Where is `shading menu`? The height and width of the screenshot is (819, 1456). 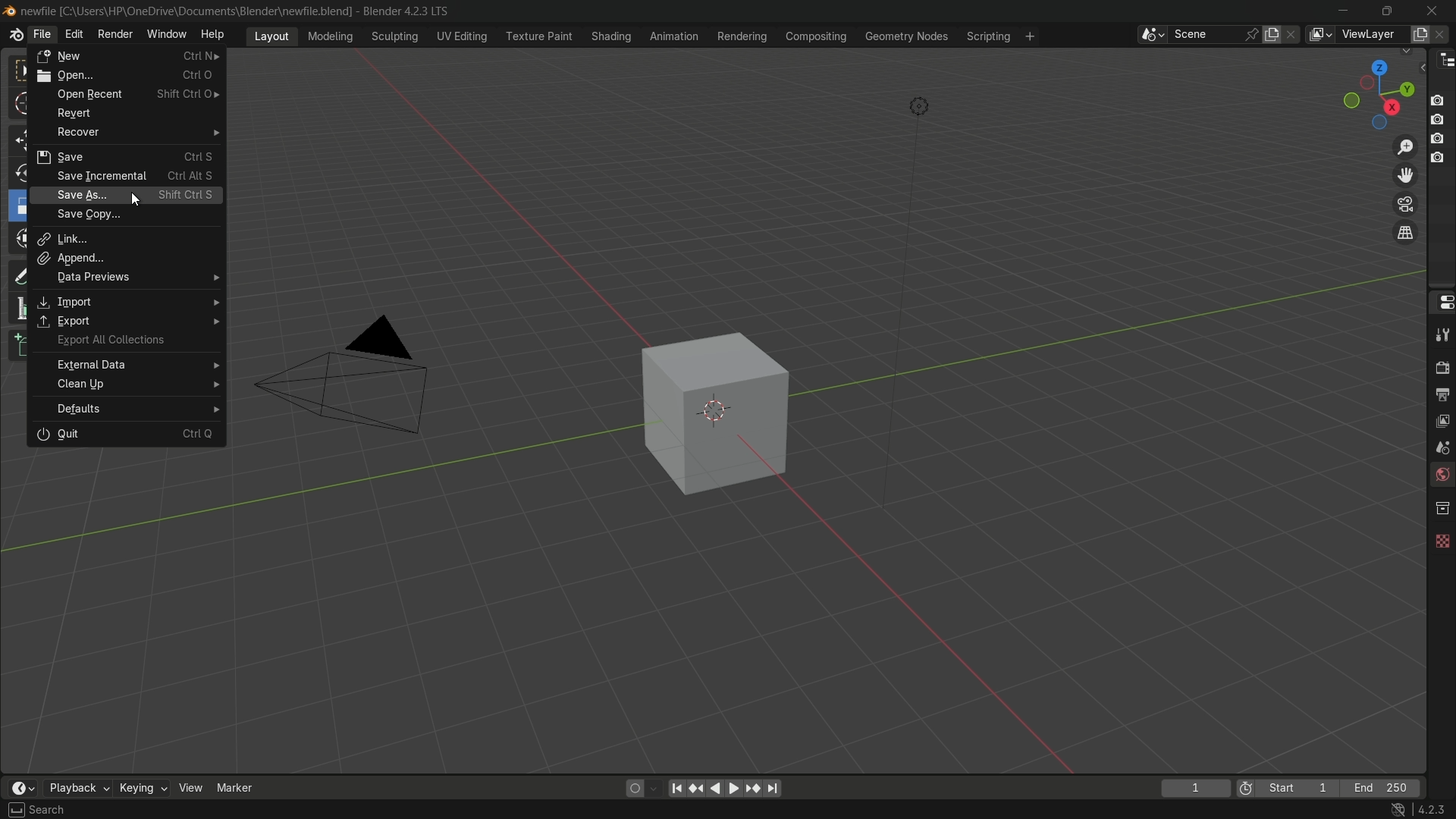
shading menu is located at coordinates (609, 36).